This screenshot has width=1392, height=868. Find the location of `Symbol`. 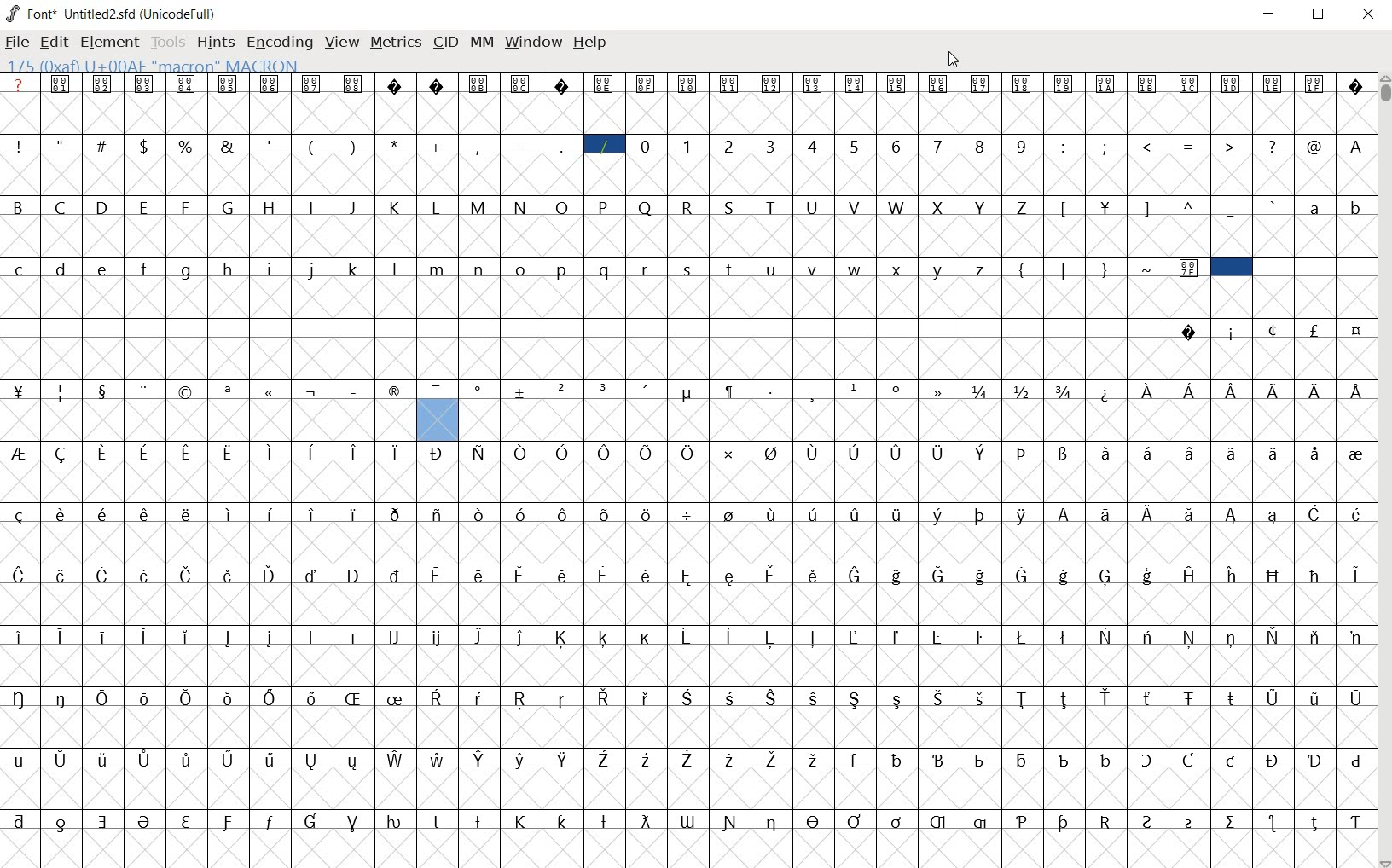

Symbol is located at coordinates (1147, 513).